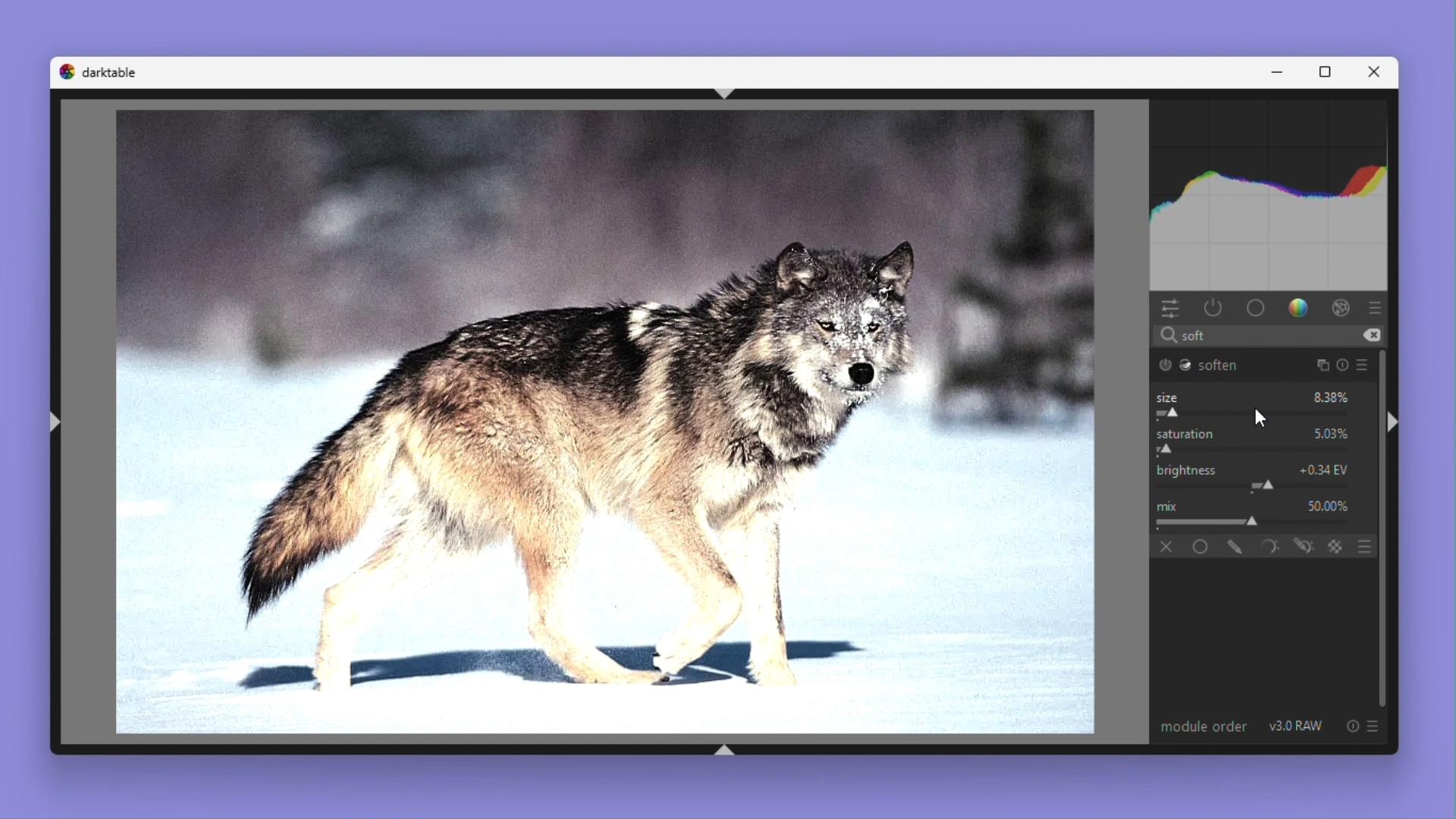  Describe the element at coordinates (727, 749) in the screenshot. I see `shift+ctrl+b` at that location.